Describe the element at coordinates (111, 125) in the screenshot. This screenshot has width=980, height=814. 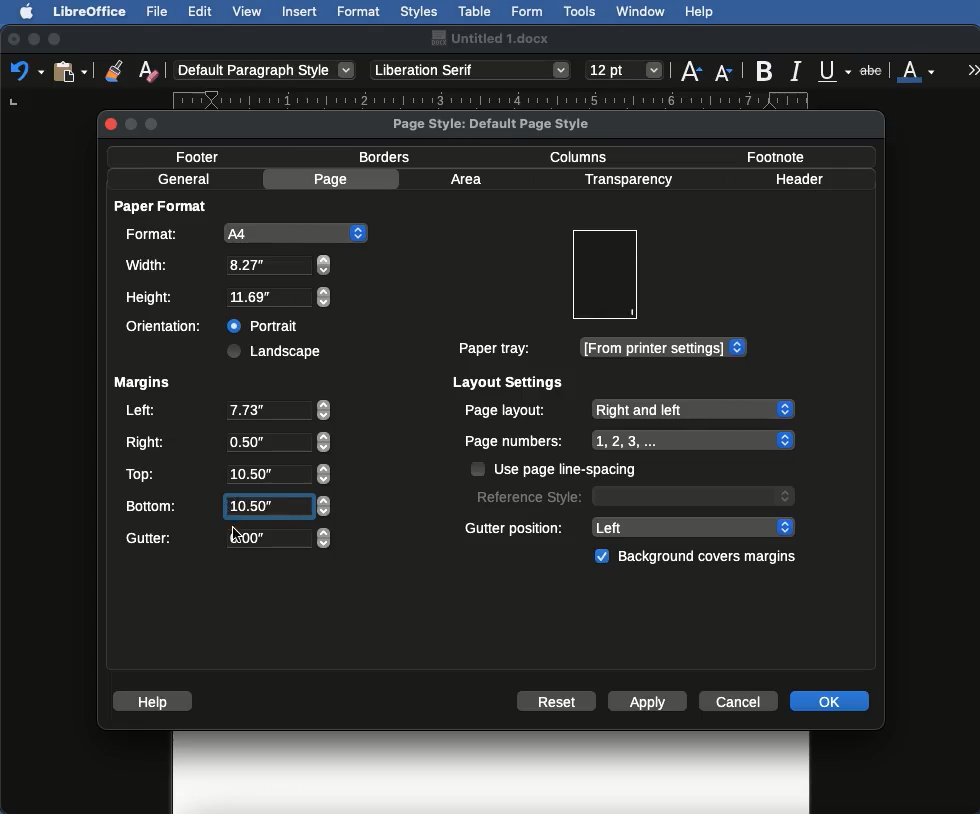
I see `close` at that location.